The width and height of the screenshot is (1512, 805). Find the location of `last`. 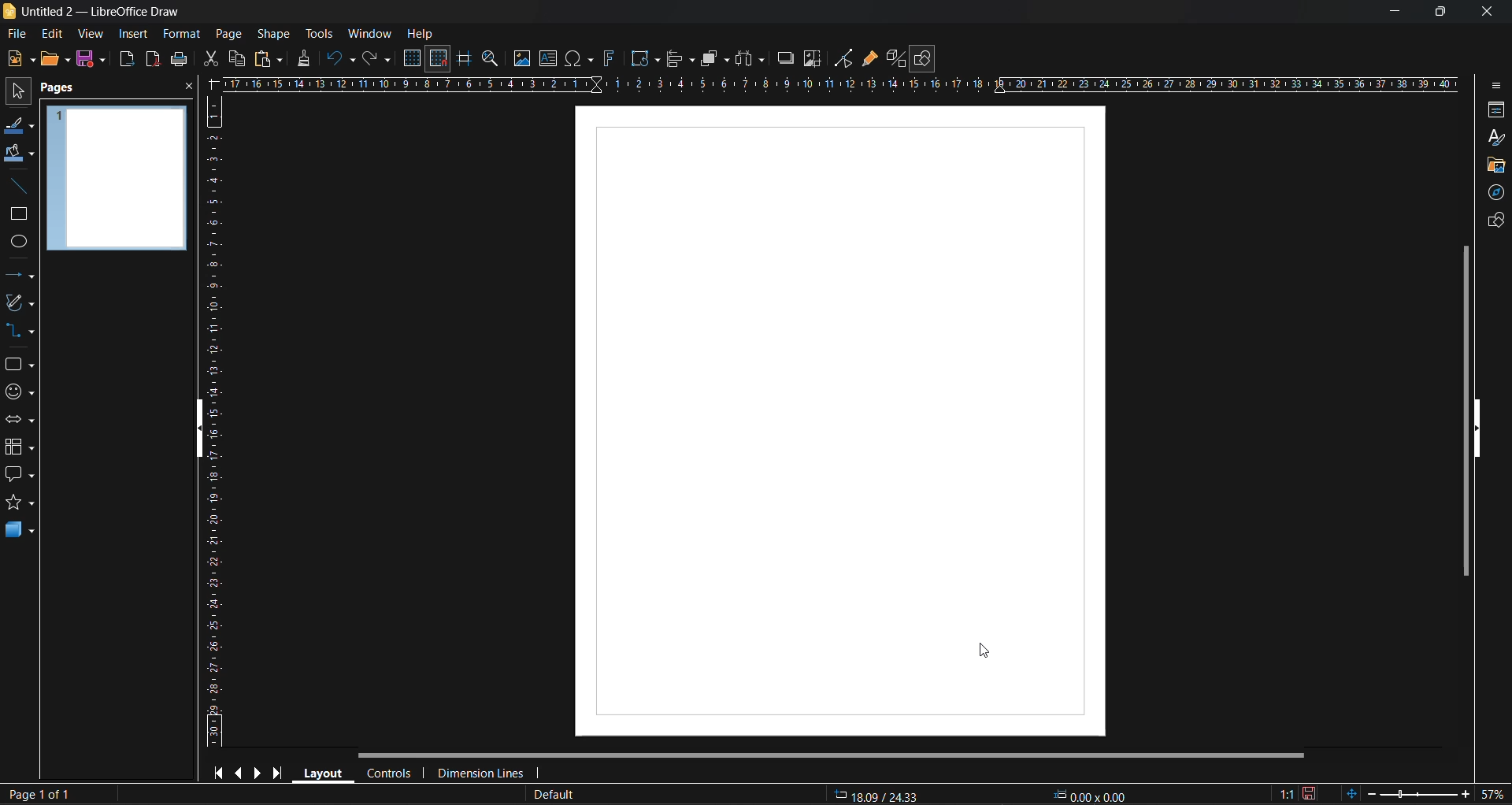

last is located at coordinates (283, 773).